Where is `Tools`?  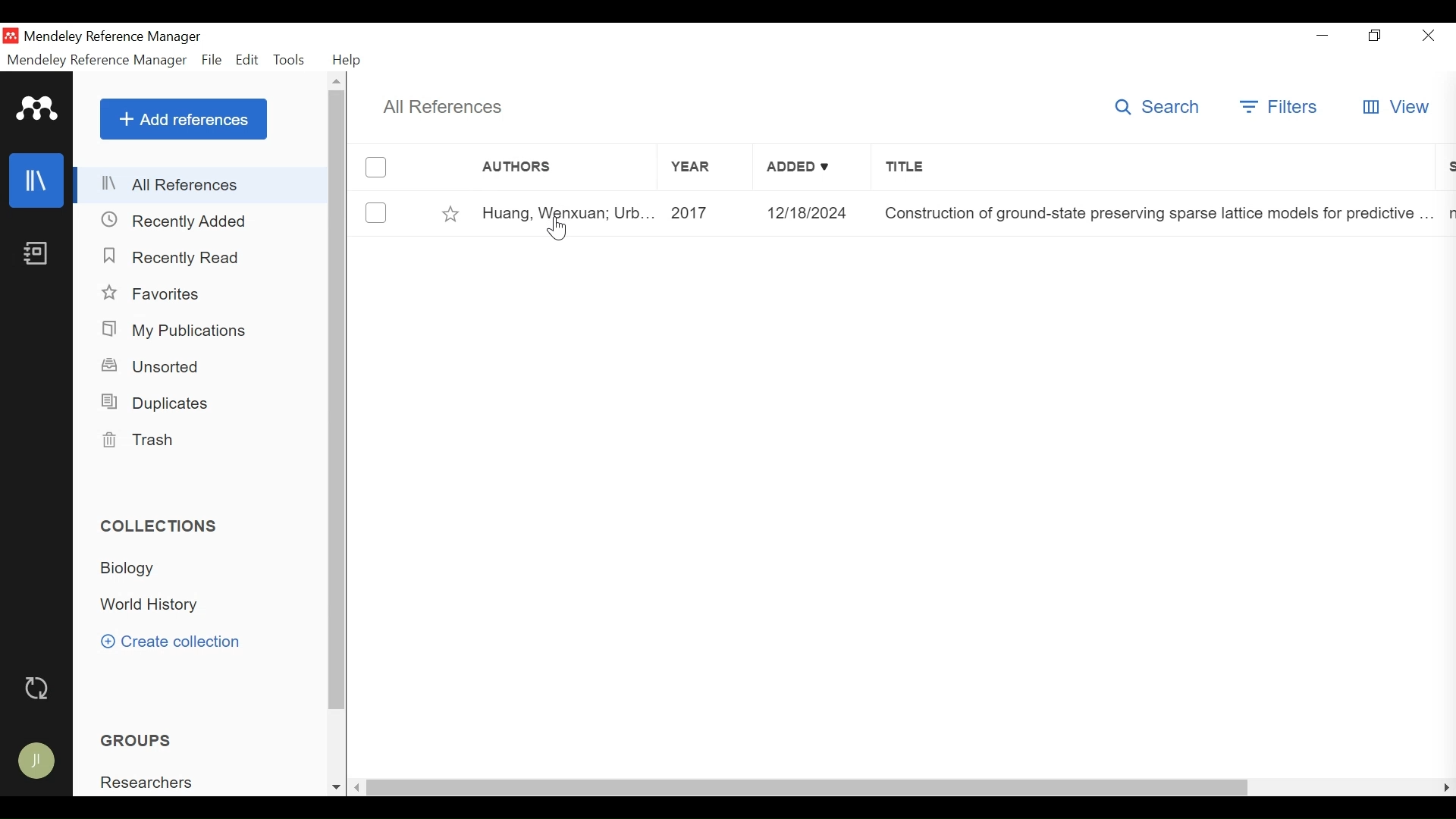 Tools is located at coordinates (288, 60).